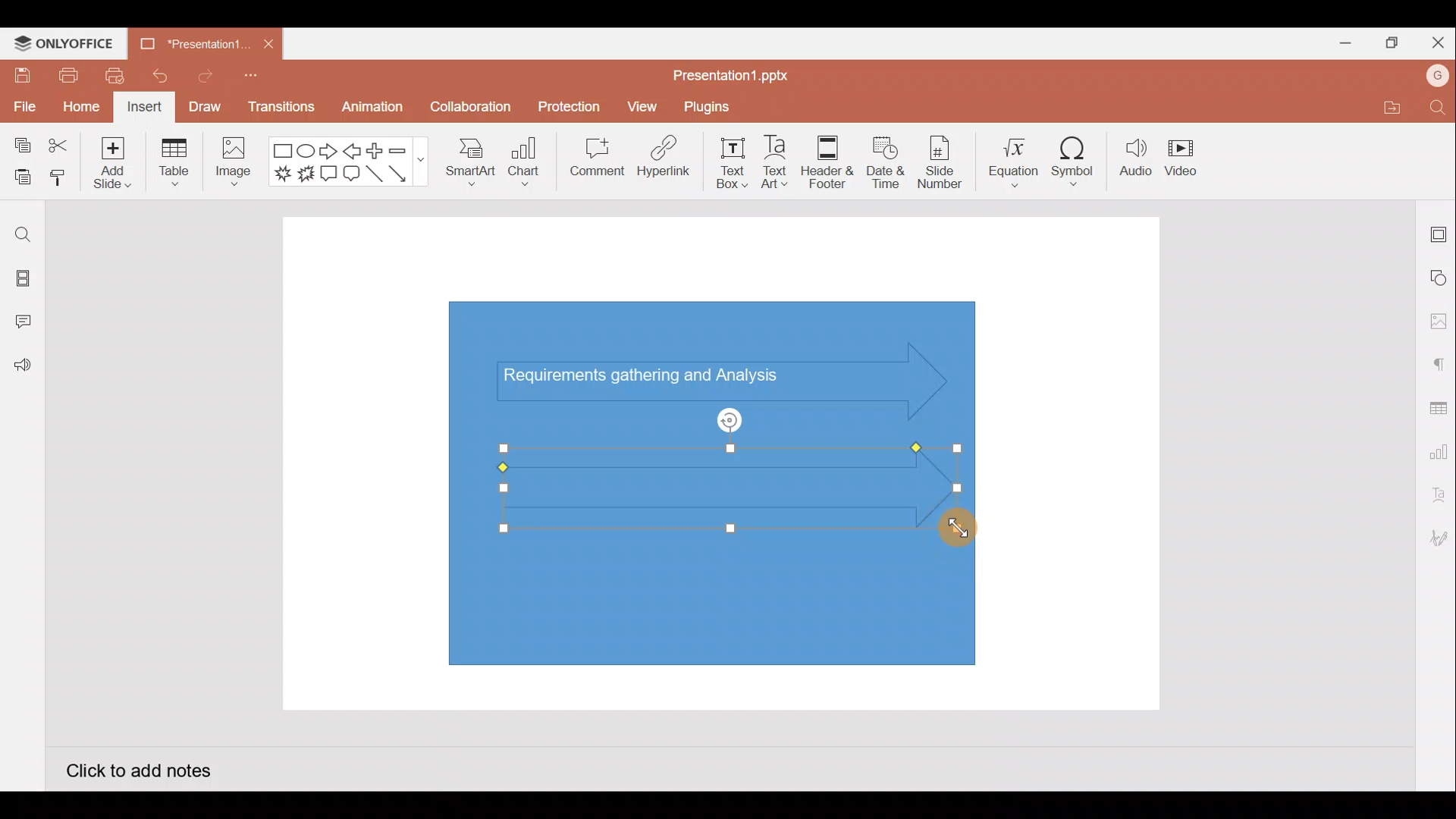  Describe the element at coordinates (1438, 76) in the screenshot. I see `Account name` at that location.